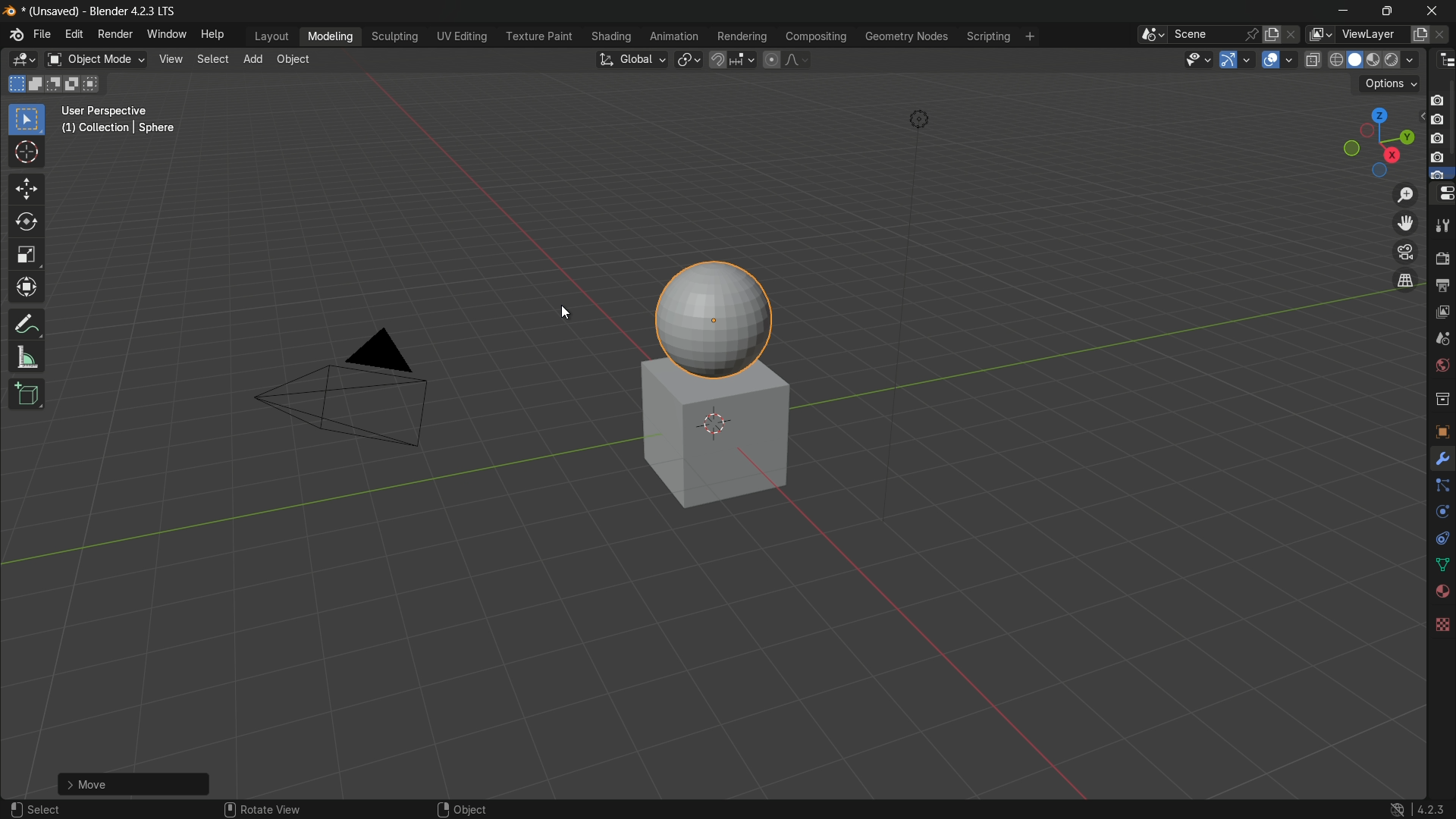  Describe the element at coordinates (1291, 60) in the screenshot. I see `show overlays` at that location.